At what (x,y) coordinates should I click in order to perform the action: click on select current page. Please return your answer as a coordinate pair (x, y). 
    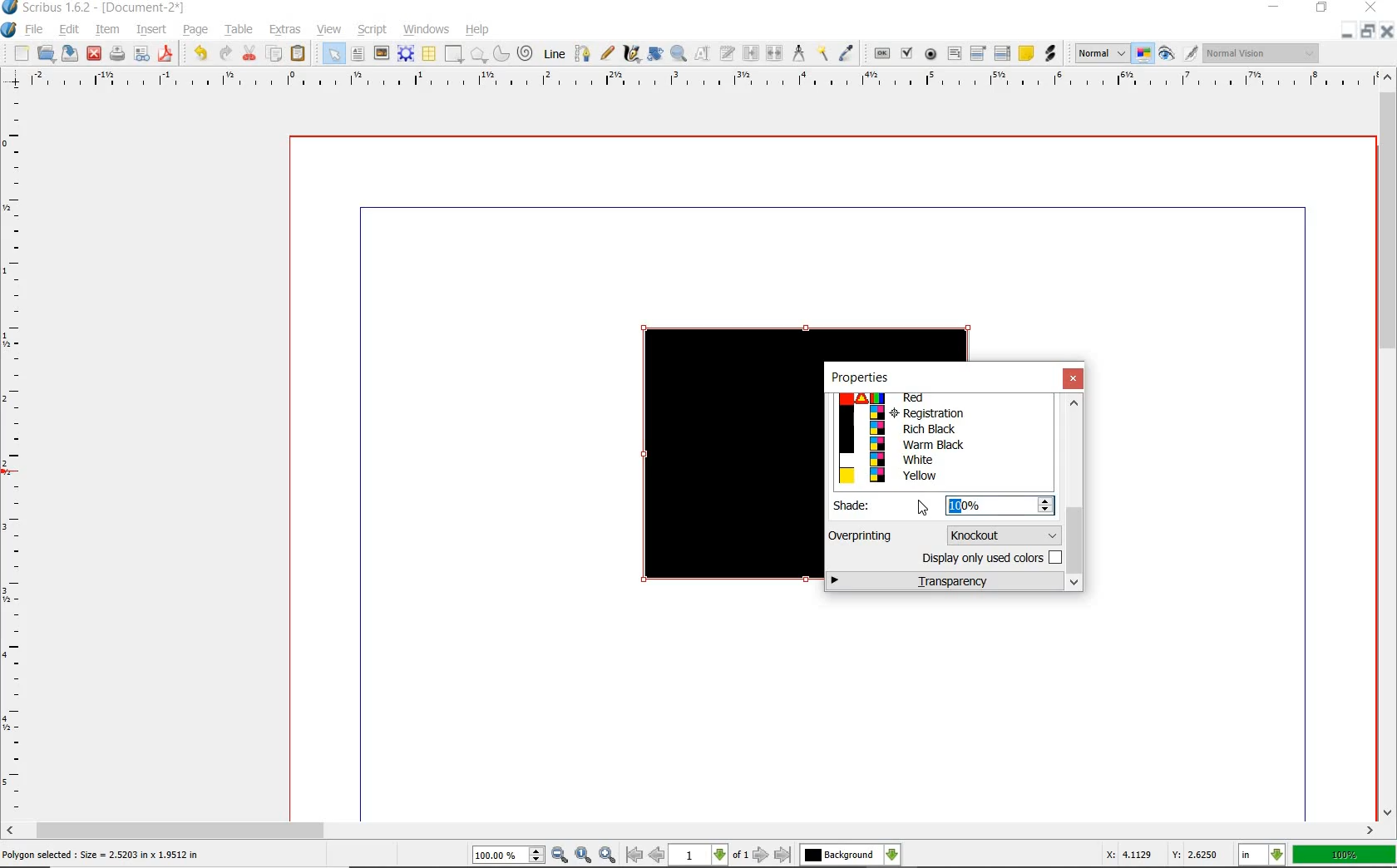
    Looking at the image, I should click on (708, 856).